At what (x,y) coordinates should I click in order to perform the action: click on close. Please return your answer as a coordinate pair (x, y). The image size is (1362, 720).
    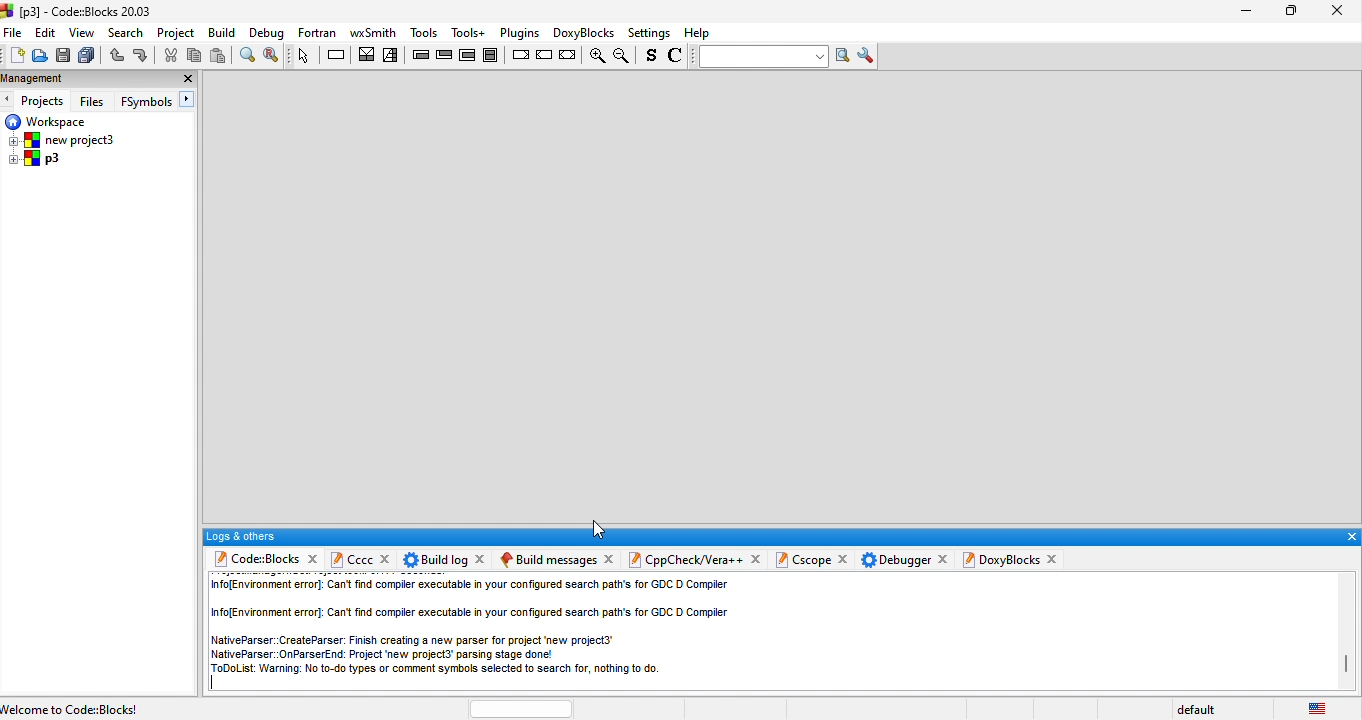
    Looking at the image, I should click on (312, 559).